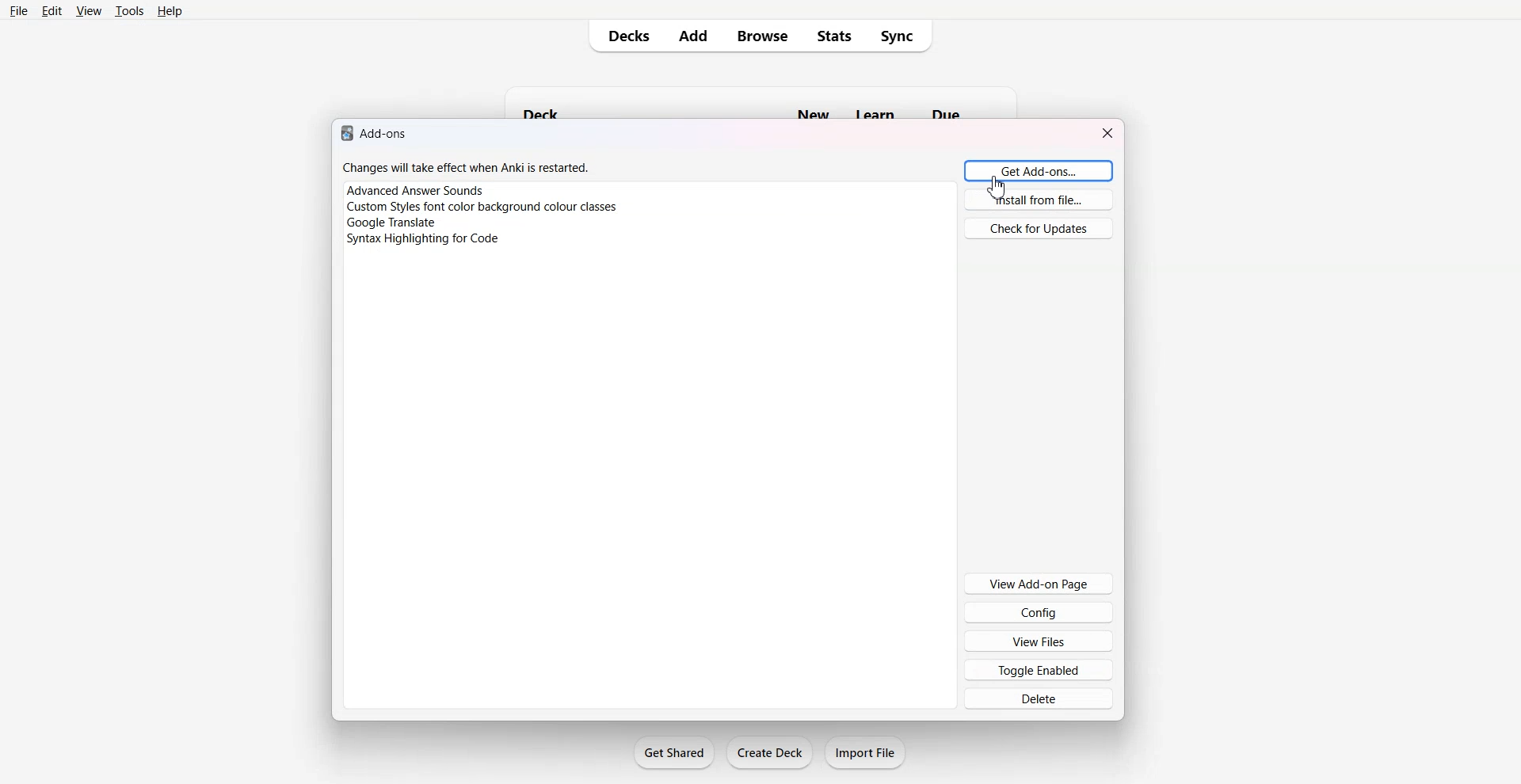 The image size is (1521, 784). What do you see at coordinates (815, 112) in the screenshot?
I see `new` at bounding box center [815, 112].